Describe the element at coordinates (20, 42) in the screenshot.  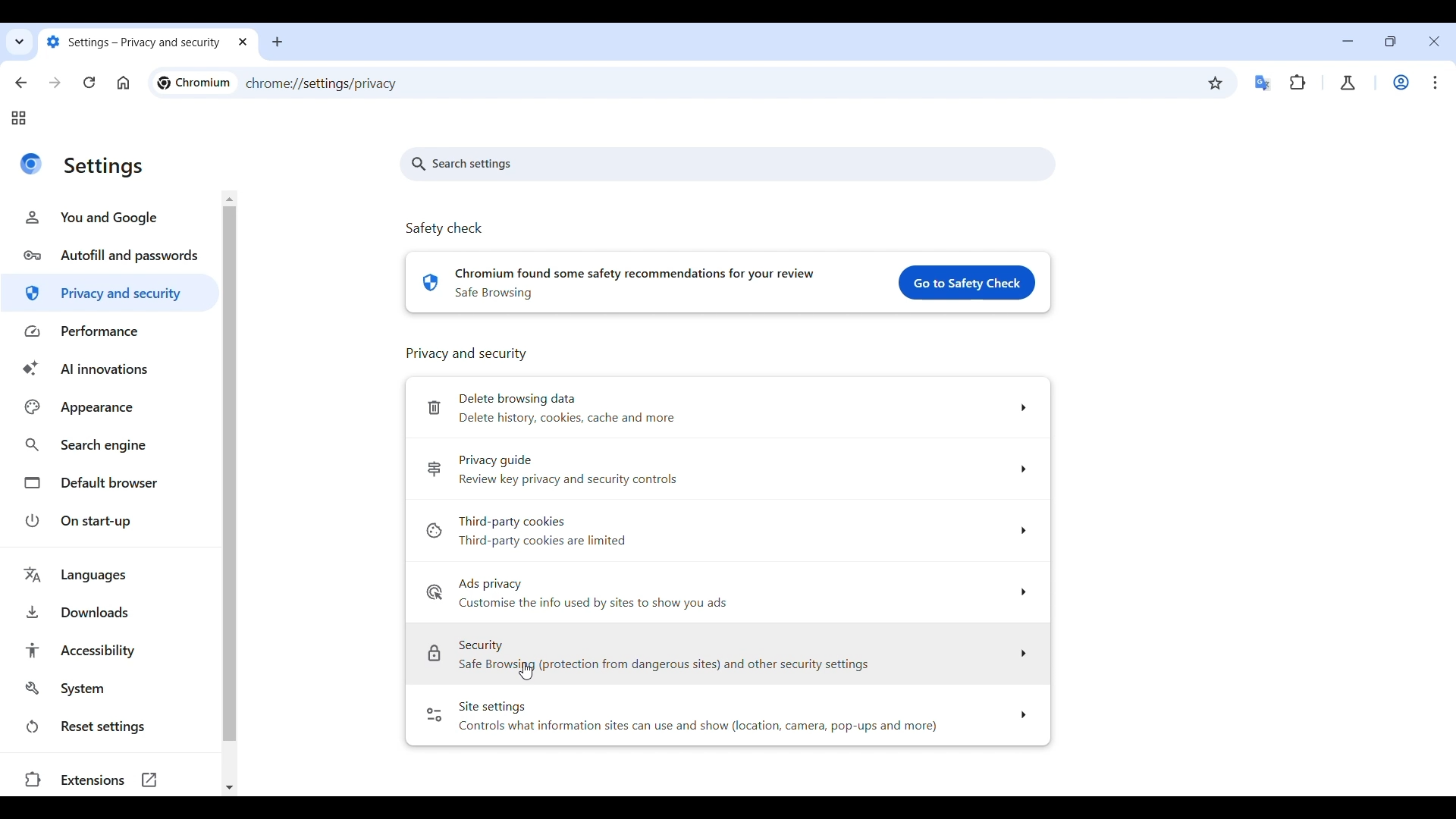
I see `Search tabs` at that location.